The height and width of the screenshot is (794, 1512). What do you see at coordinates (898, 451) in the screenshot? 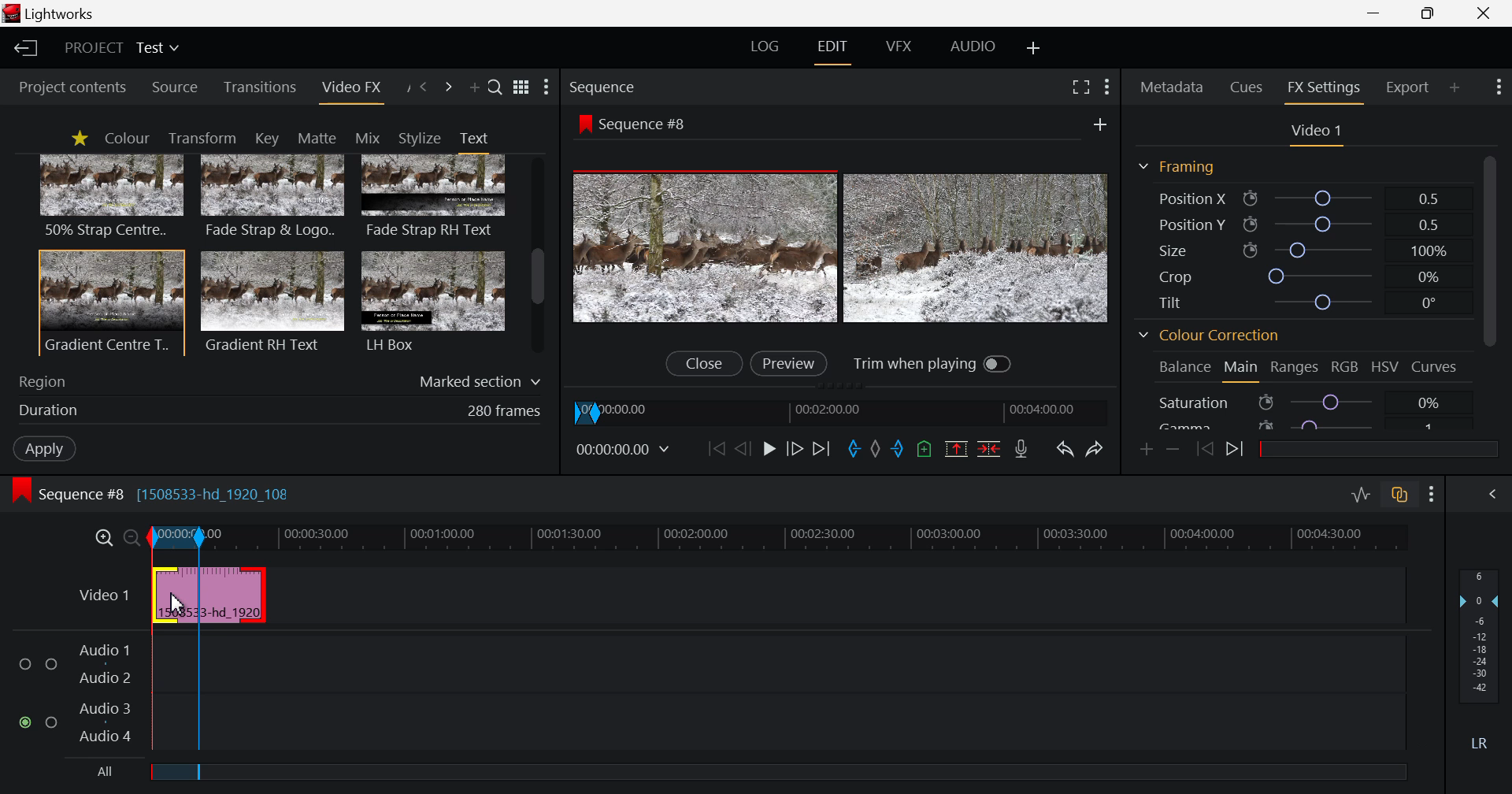
I see `Mark Out` at bounding box center [898, 451].